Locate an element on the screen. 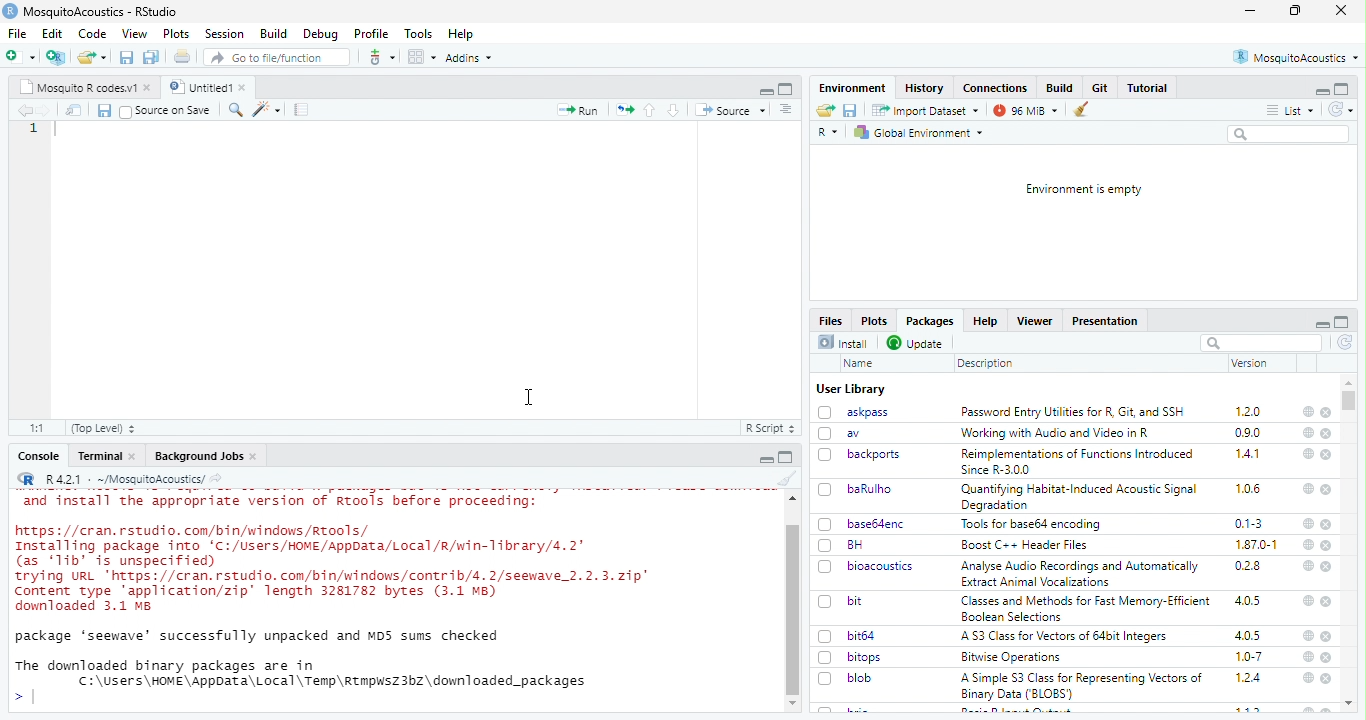 The image size is (1366, 720). Plots is located at coordinates (875, 321).